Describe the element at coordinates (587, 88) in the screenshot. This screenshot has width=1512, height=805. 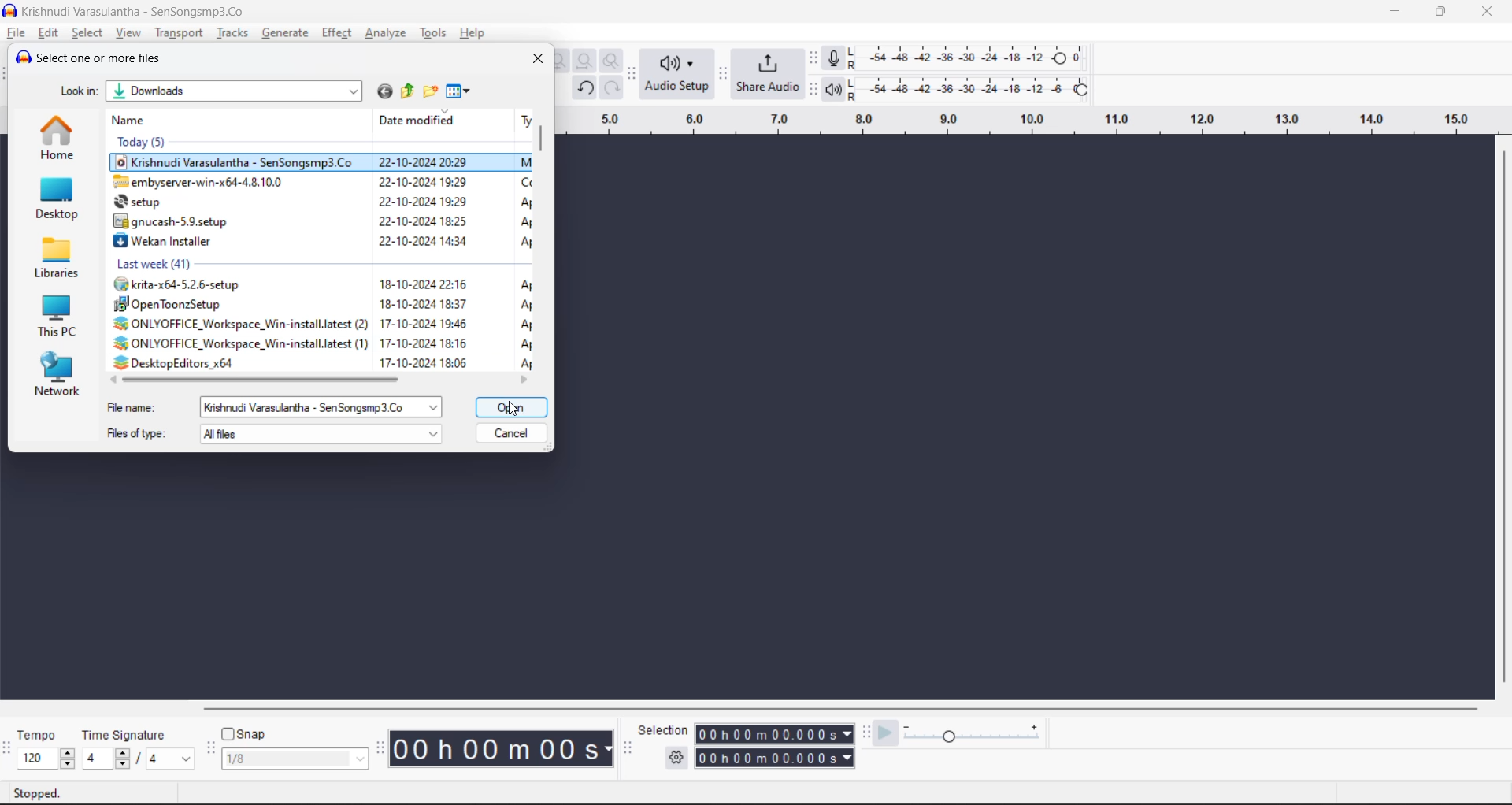
I see `undo` at that location.